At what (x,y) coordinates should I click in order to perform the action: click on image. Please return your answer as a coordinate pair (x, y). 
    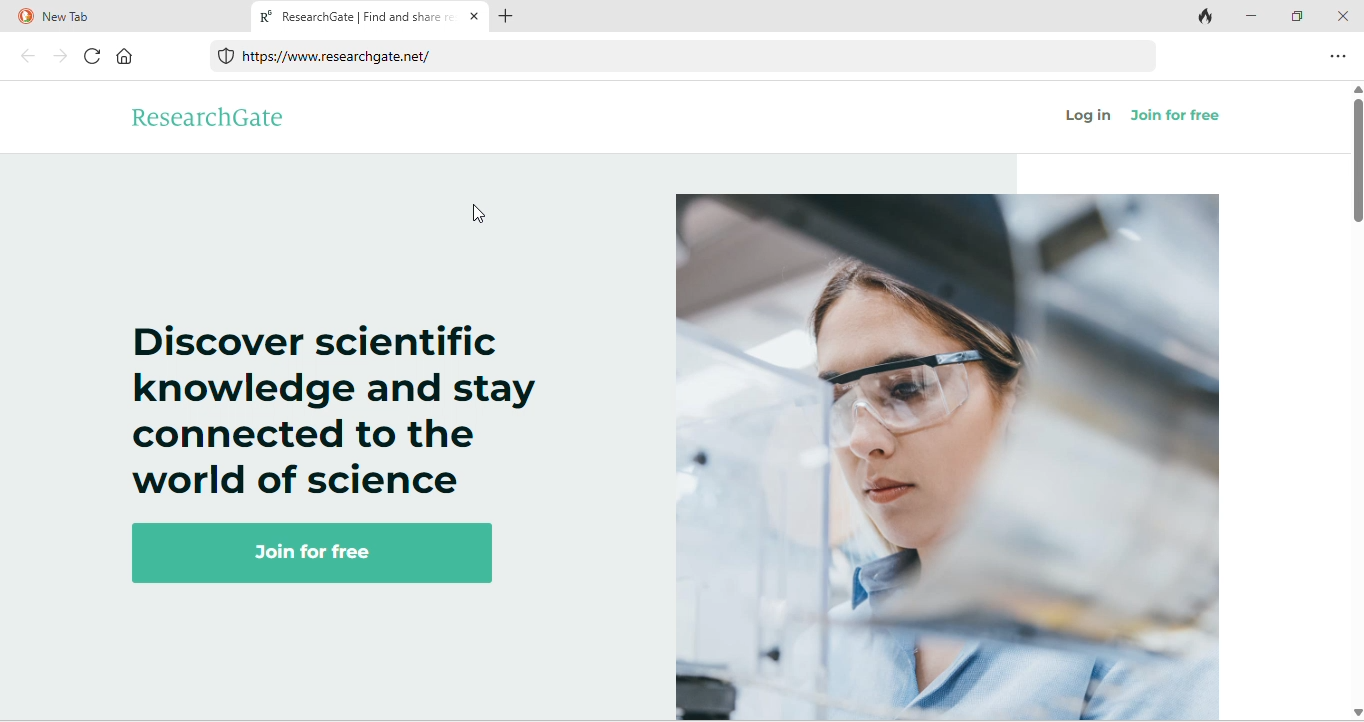
    Looking at the image, I should click on (947, 457).